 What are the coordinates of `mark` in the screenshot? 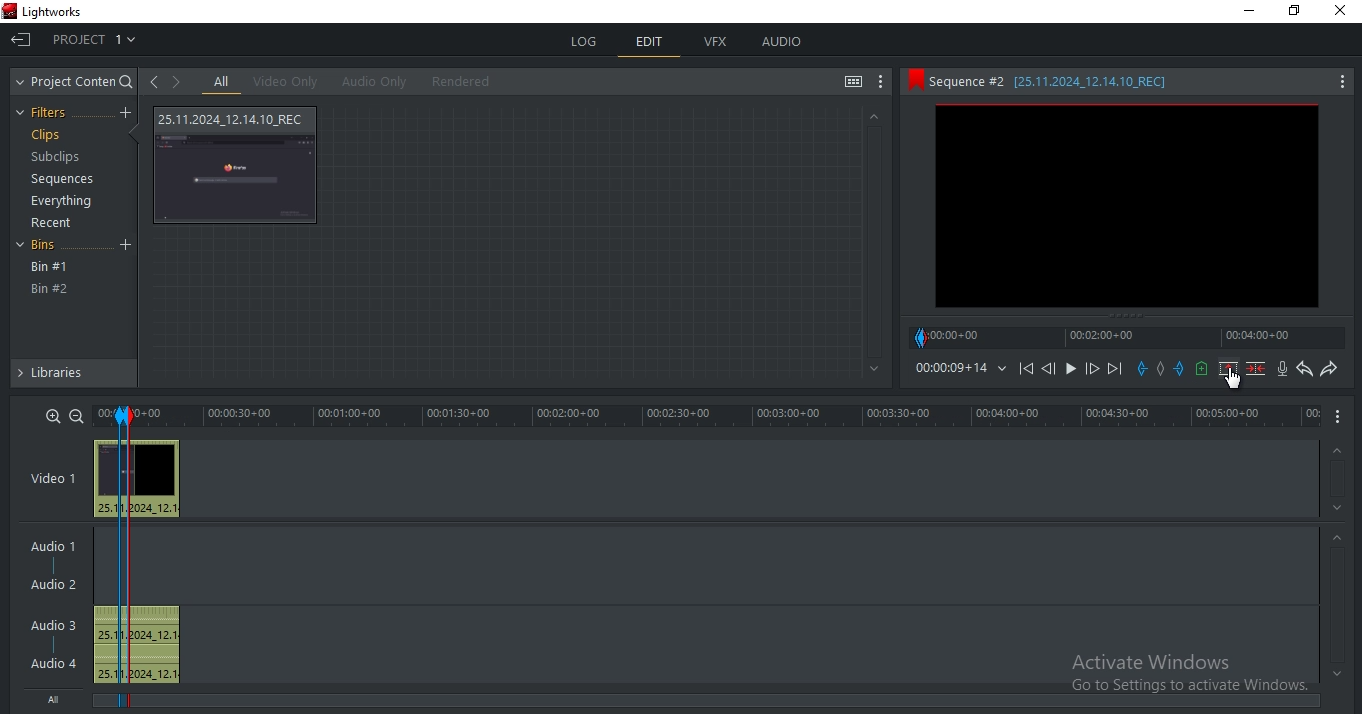 It's located at (120, 416).